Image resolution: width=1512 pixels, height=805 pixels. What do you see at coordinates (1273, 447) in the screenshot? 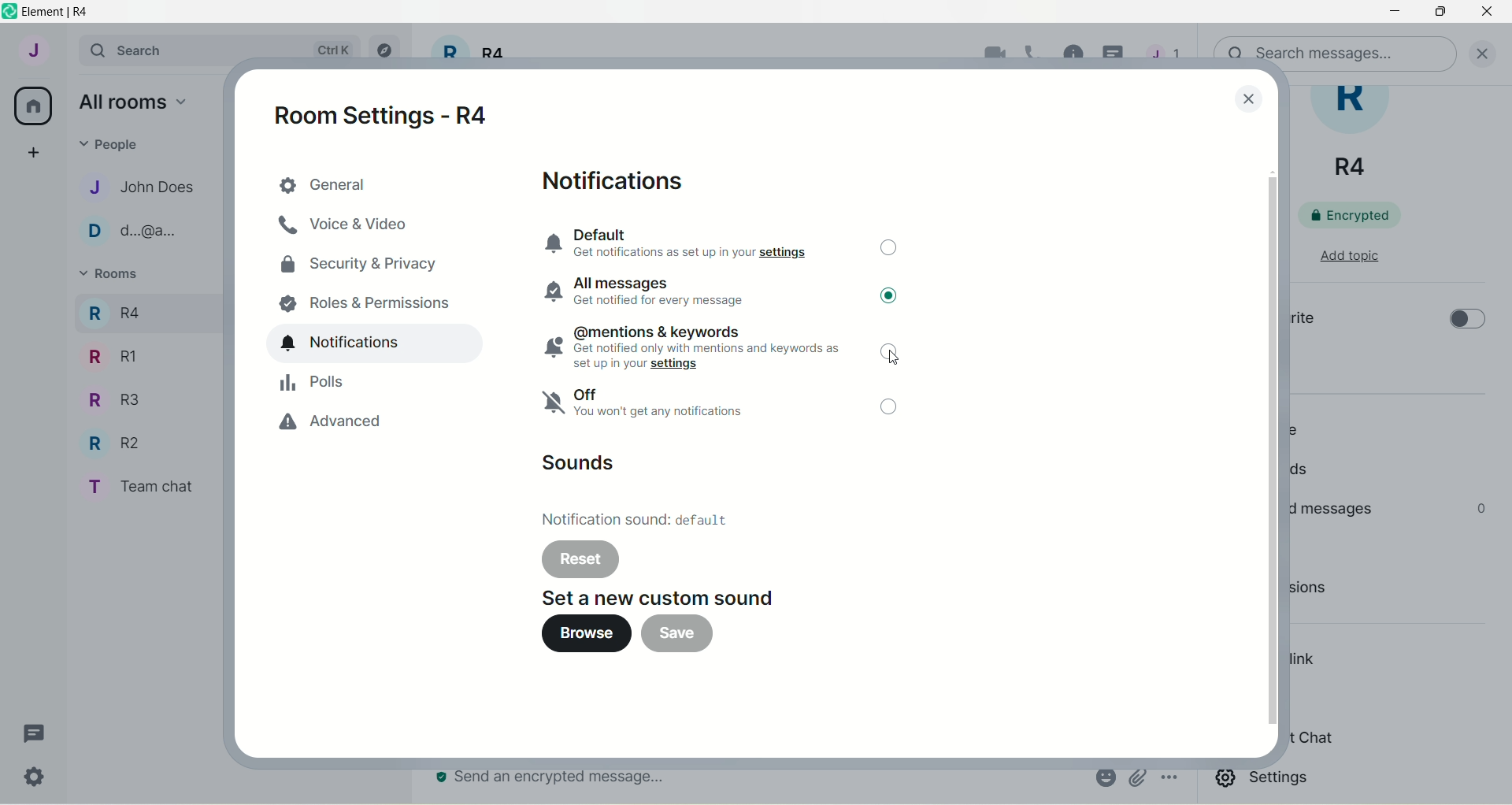
I see `vertical scroll bar` at bounding box center [1273, 447].